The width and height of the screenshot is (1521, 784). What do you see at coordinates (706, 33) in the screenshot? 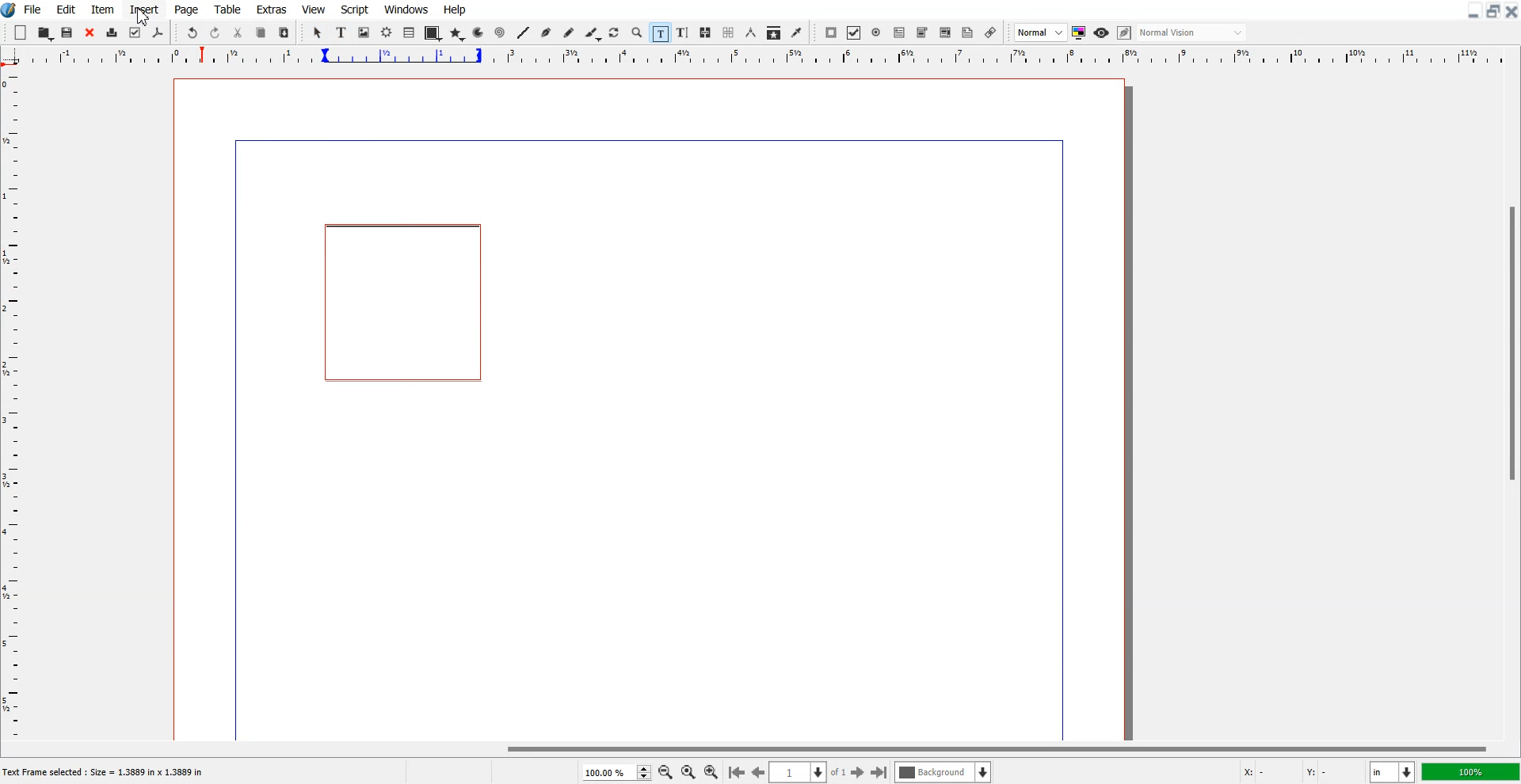
I see `Link text frame` at bounding box center [706, 33].